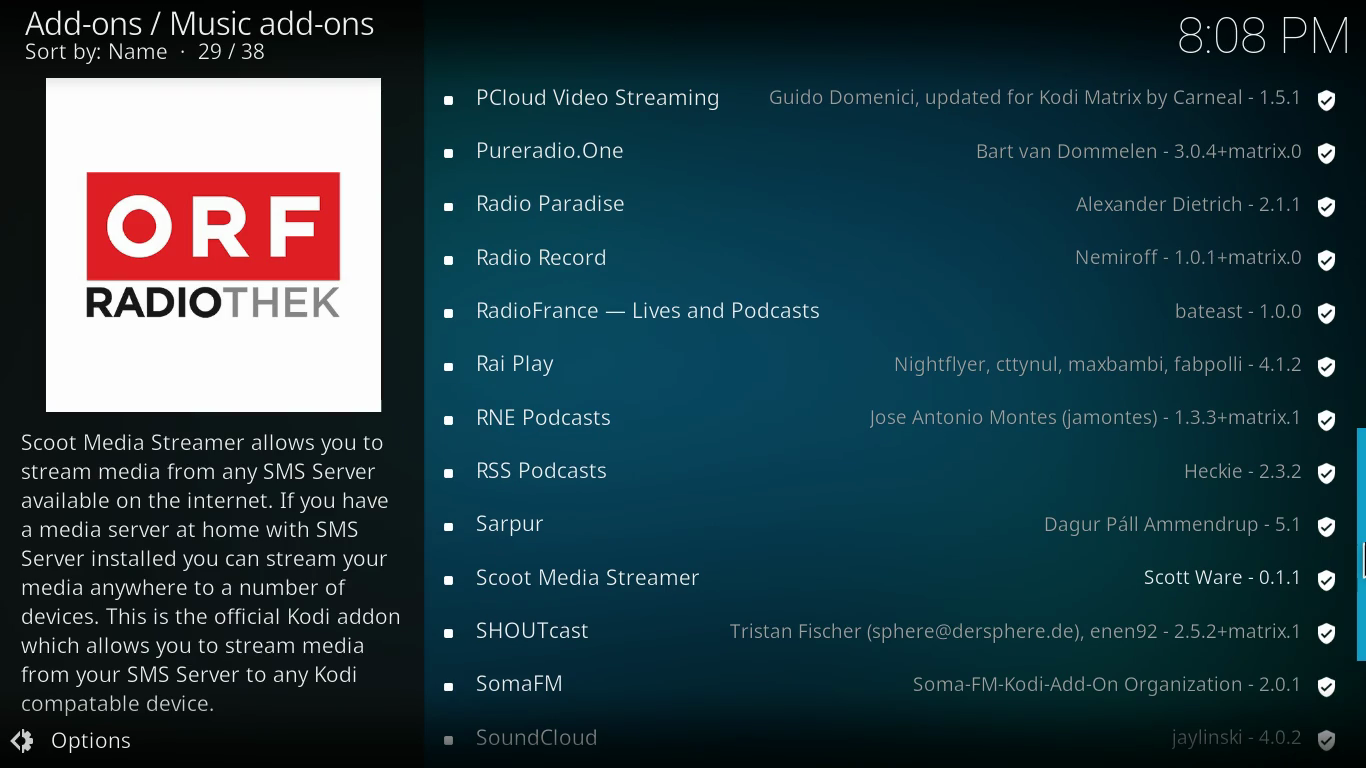 This screenshot has height=768, width=1366. Describe the element at coordinates (530, 261) in the screenshot. I see `add-on` at that location.